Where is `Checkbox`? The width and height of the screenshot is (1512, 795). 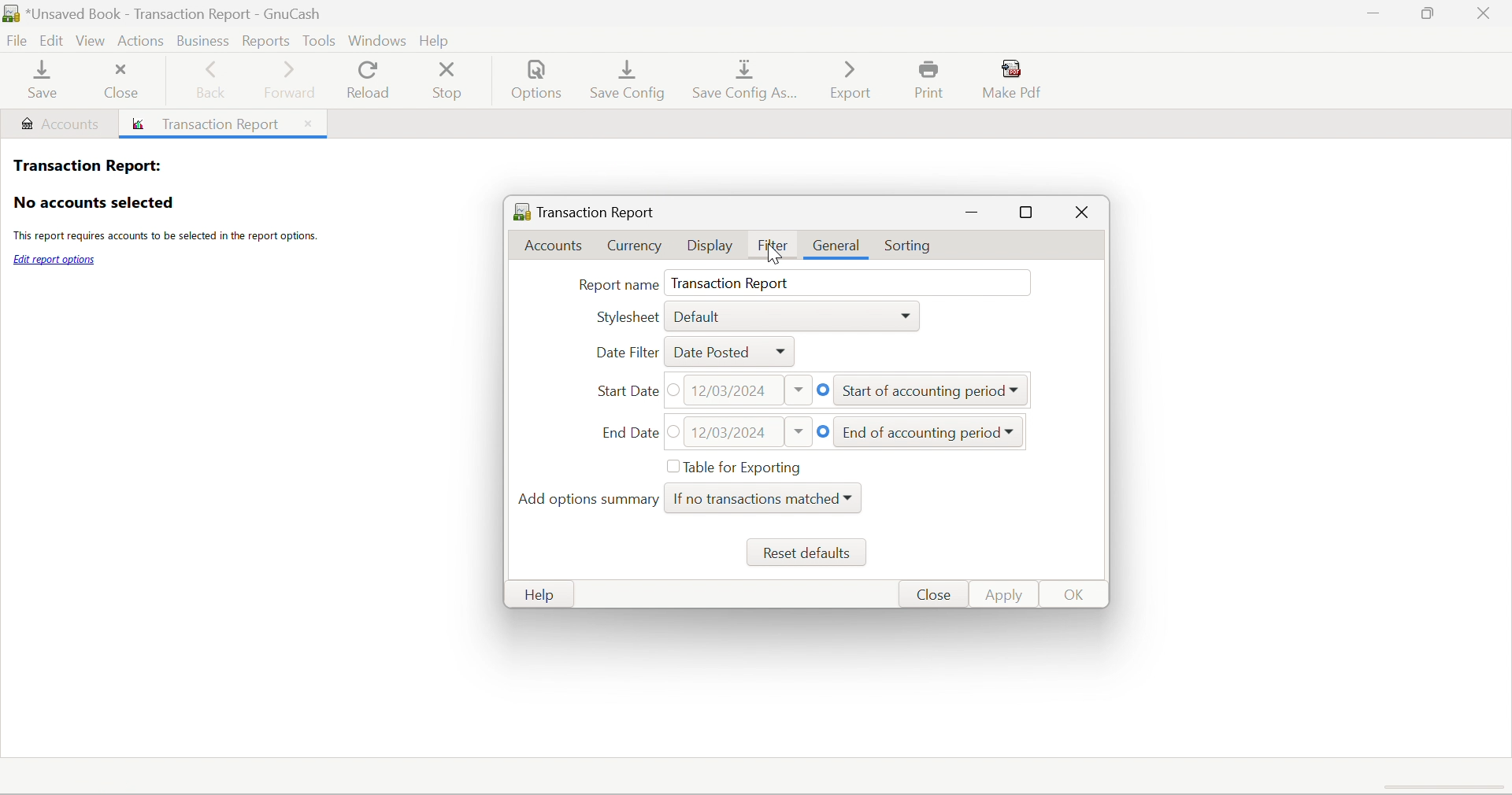 Checkbox is located at coordinates (677, 431).